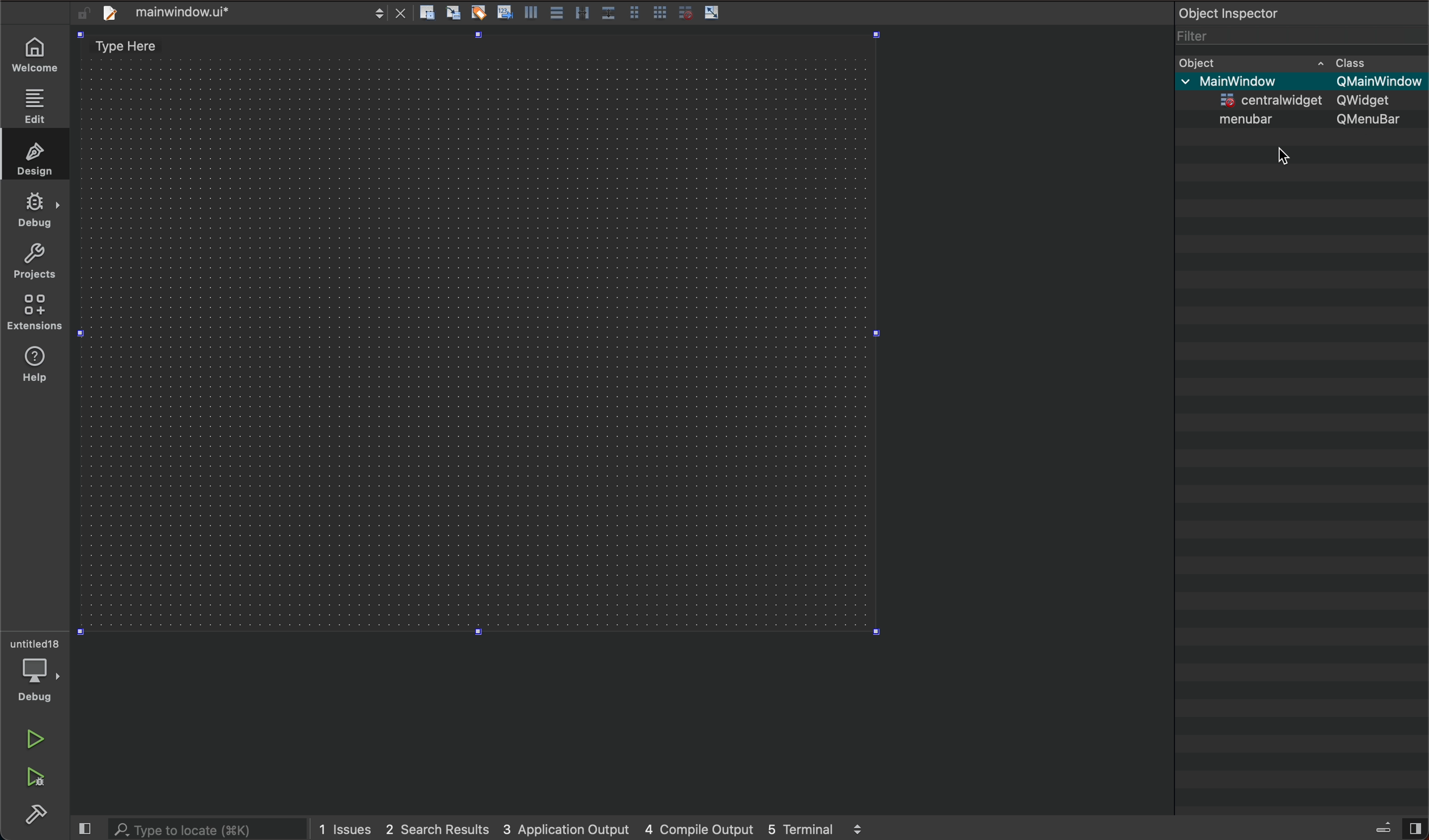 The height and width of the screenshot is (840, 1429). Describe the element at coordinates (33, 54) in the screenshot. I see `welcome` at that location.